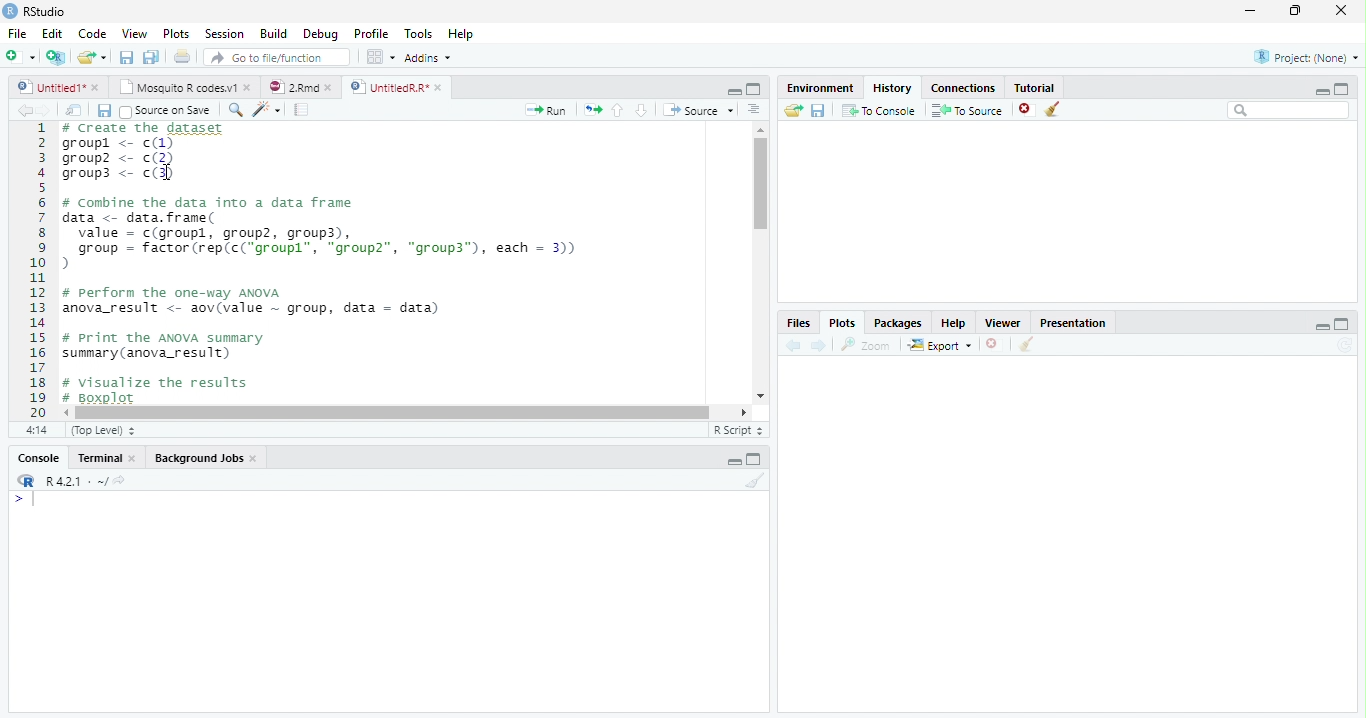 This screenshot has height=718, width=1366. Describe the element at coordinates (754, 90) in the screenshot. I see `Maximize` at that location.